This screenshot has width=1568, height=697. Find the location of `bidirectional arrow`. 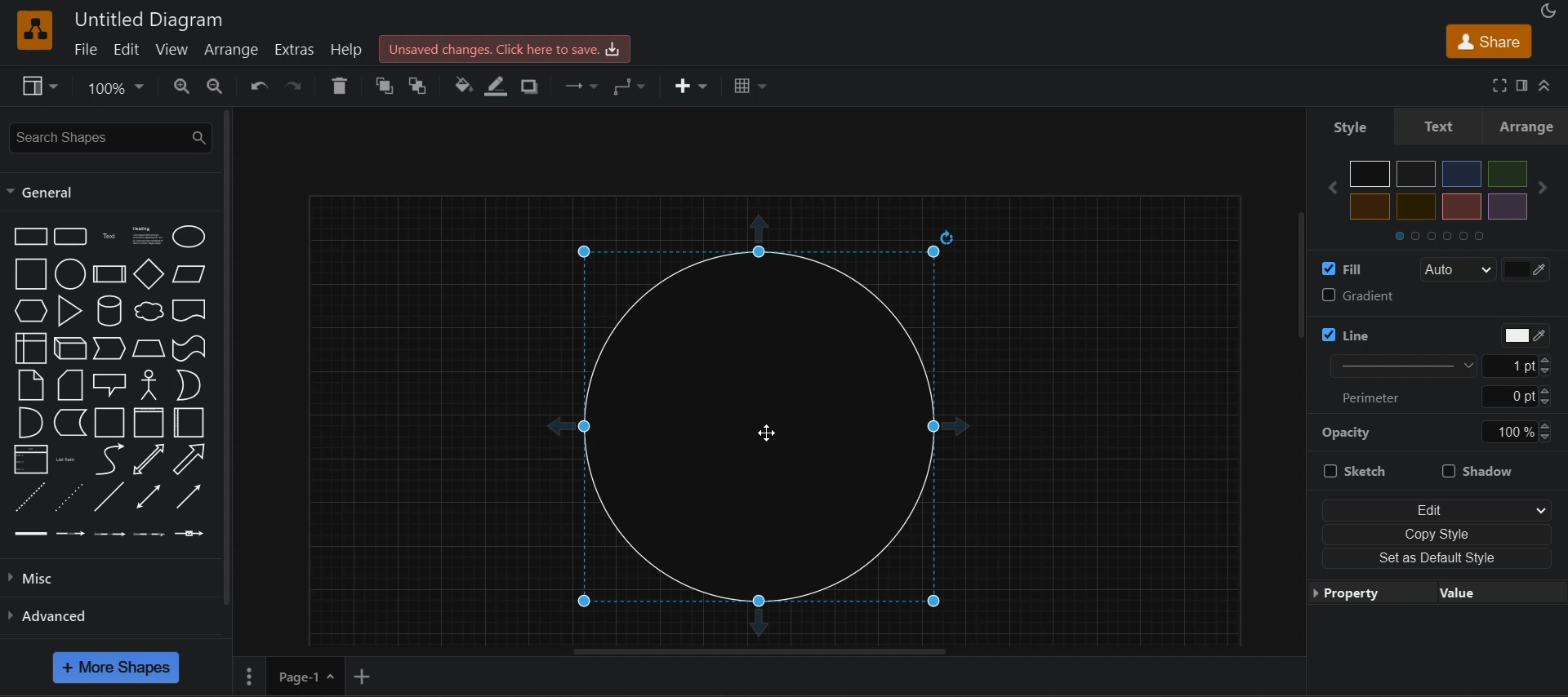

bidirectional arrow is located at coordinates (148, 459).